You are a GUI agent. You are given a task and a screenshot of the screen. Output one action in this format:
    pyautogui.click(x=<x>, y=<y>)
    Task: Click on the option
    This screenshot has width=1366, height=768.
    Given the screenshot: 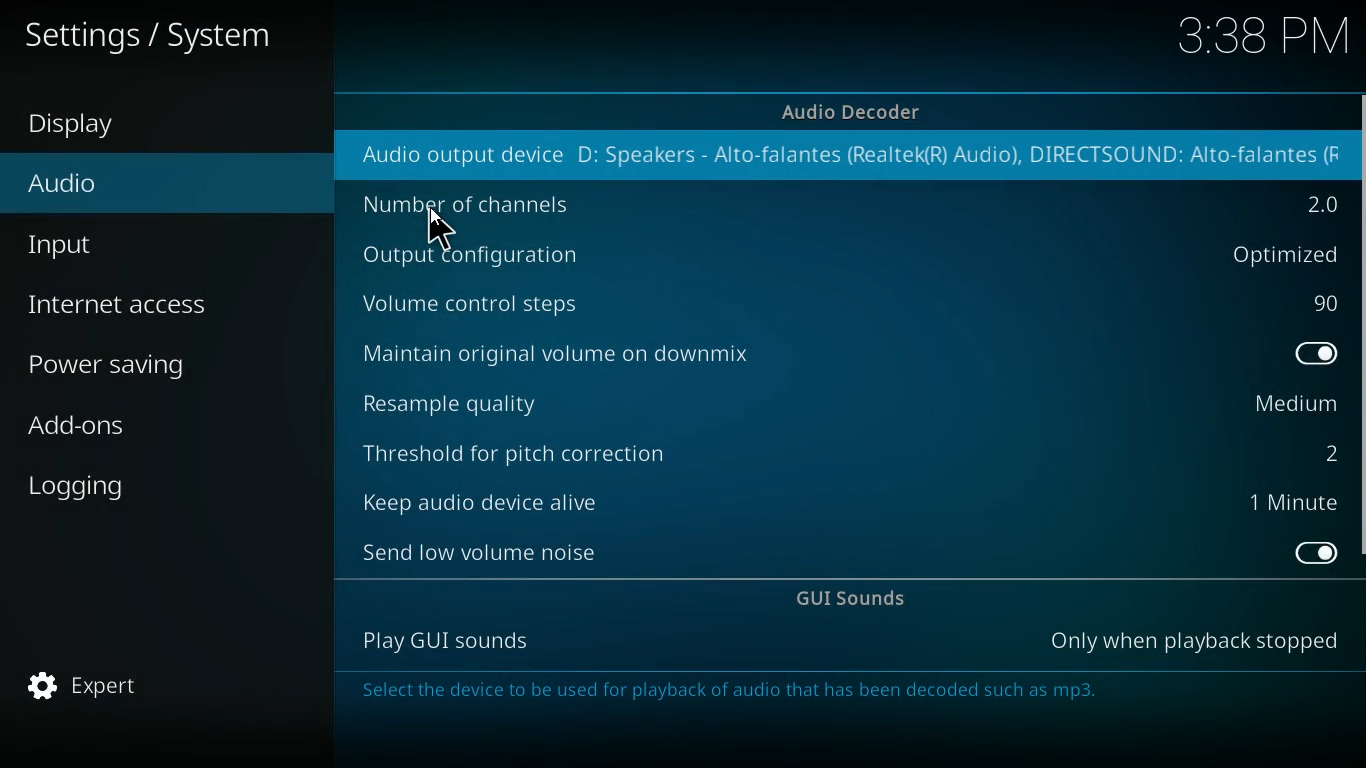 What is the action you would take?
    pyautogui.click(x=1316, y=204)
    